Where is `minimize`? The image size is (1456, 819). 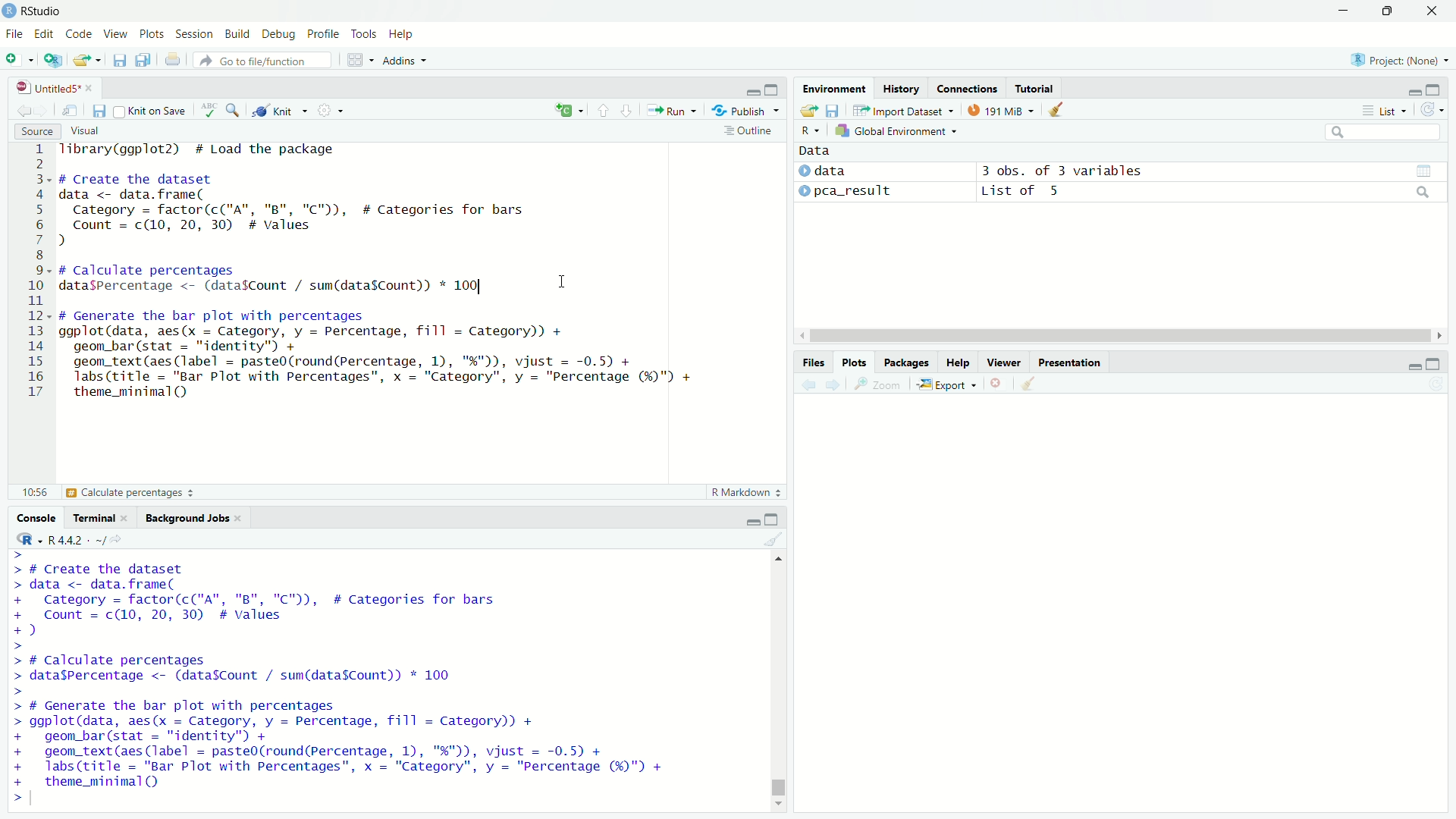
minimize is located at coordinates (753, 518).